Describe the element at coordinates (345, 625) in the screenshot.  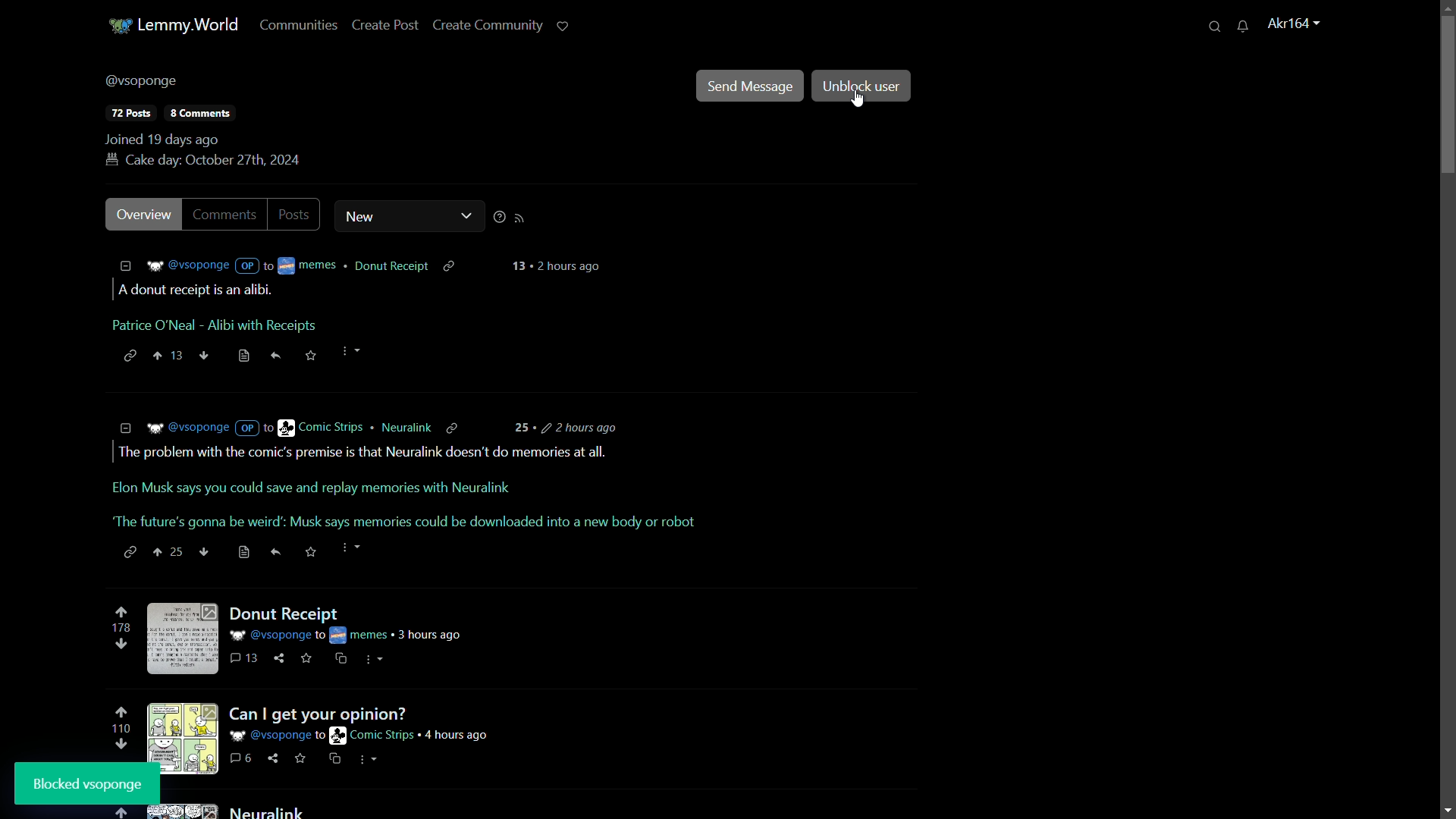
I see `post-1` at that location.